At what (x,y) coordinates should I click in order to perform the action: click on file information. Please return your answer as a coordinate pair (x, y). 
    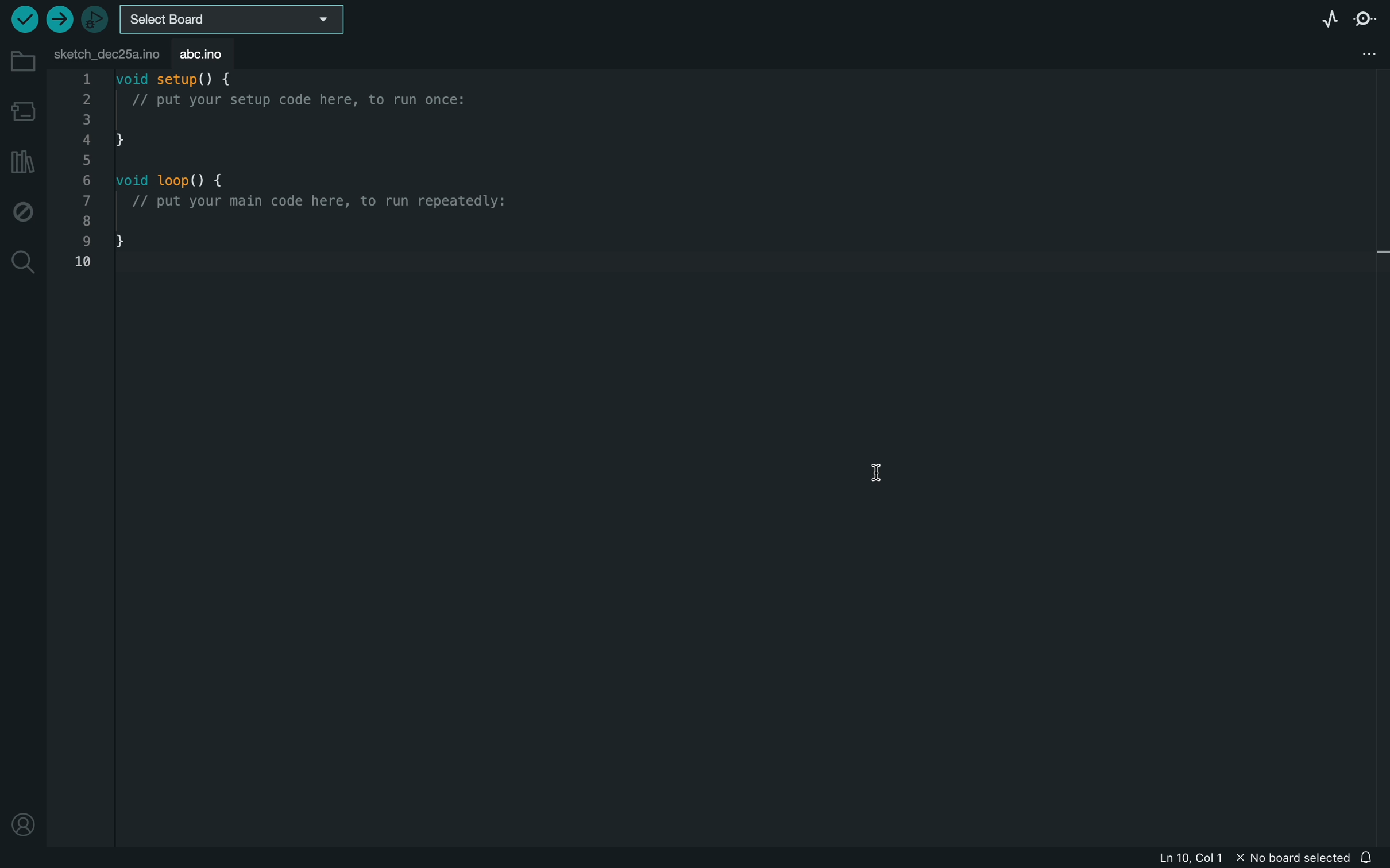
    Looking at the image, I should click on (1256, 859).